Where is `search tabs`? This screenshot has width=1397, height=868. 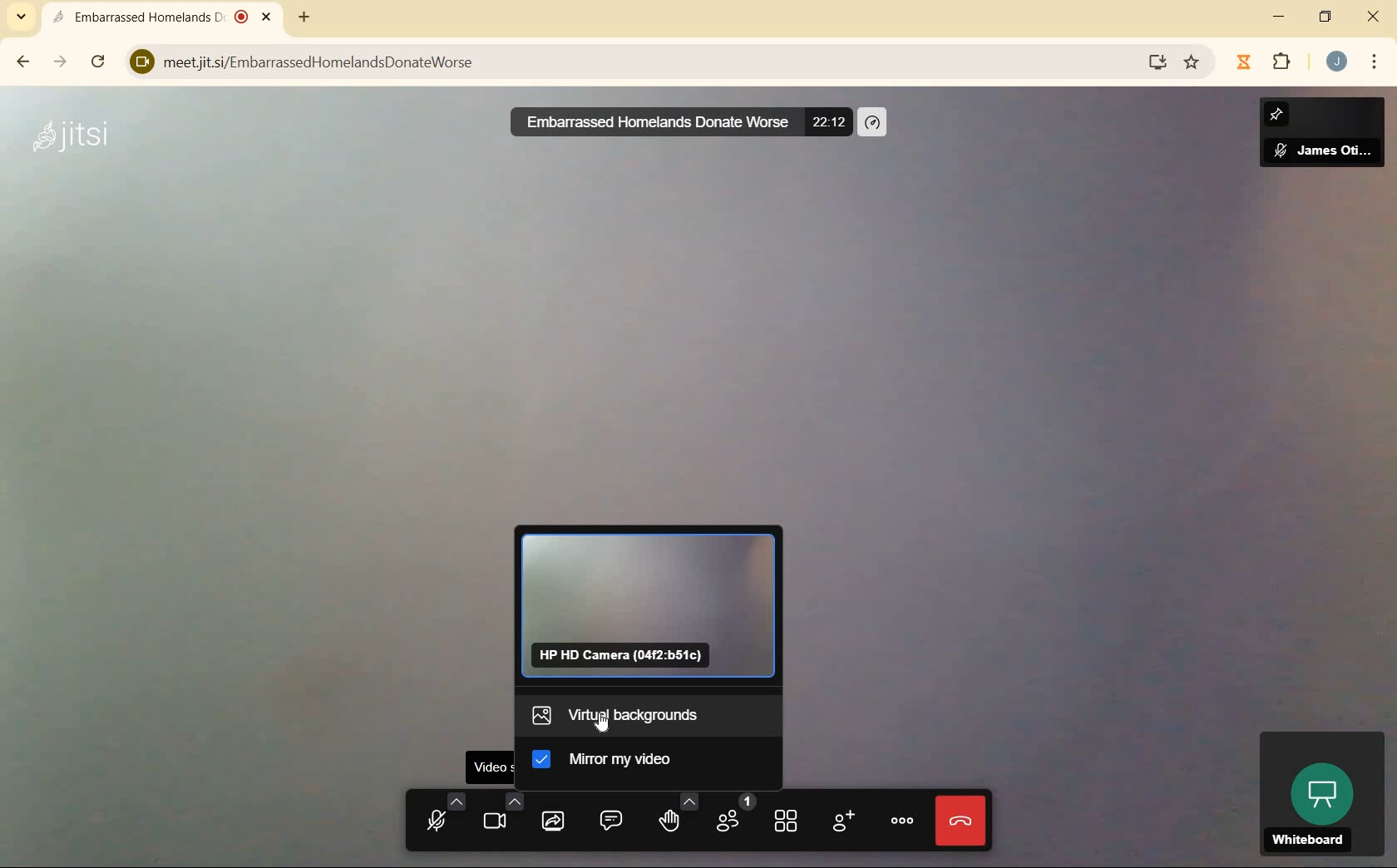 search tabs is located at coordinates (26, 15).